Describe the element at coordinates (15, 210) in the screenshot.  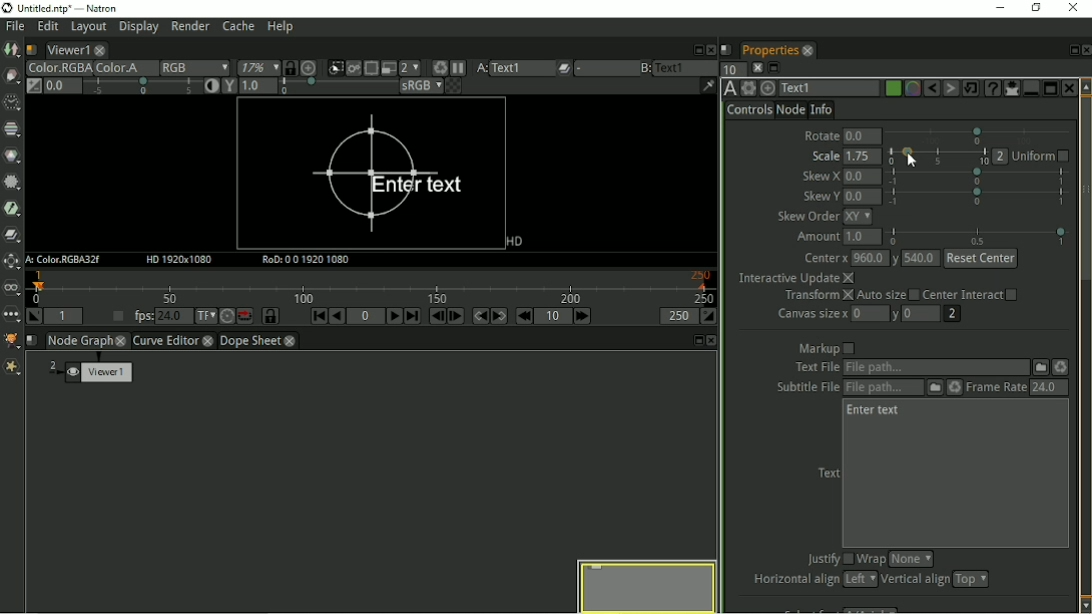
I see `Filter` at that location.